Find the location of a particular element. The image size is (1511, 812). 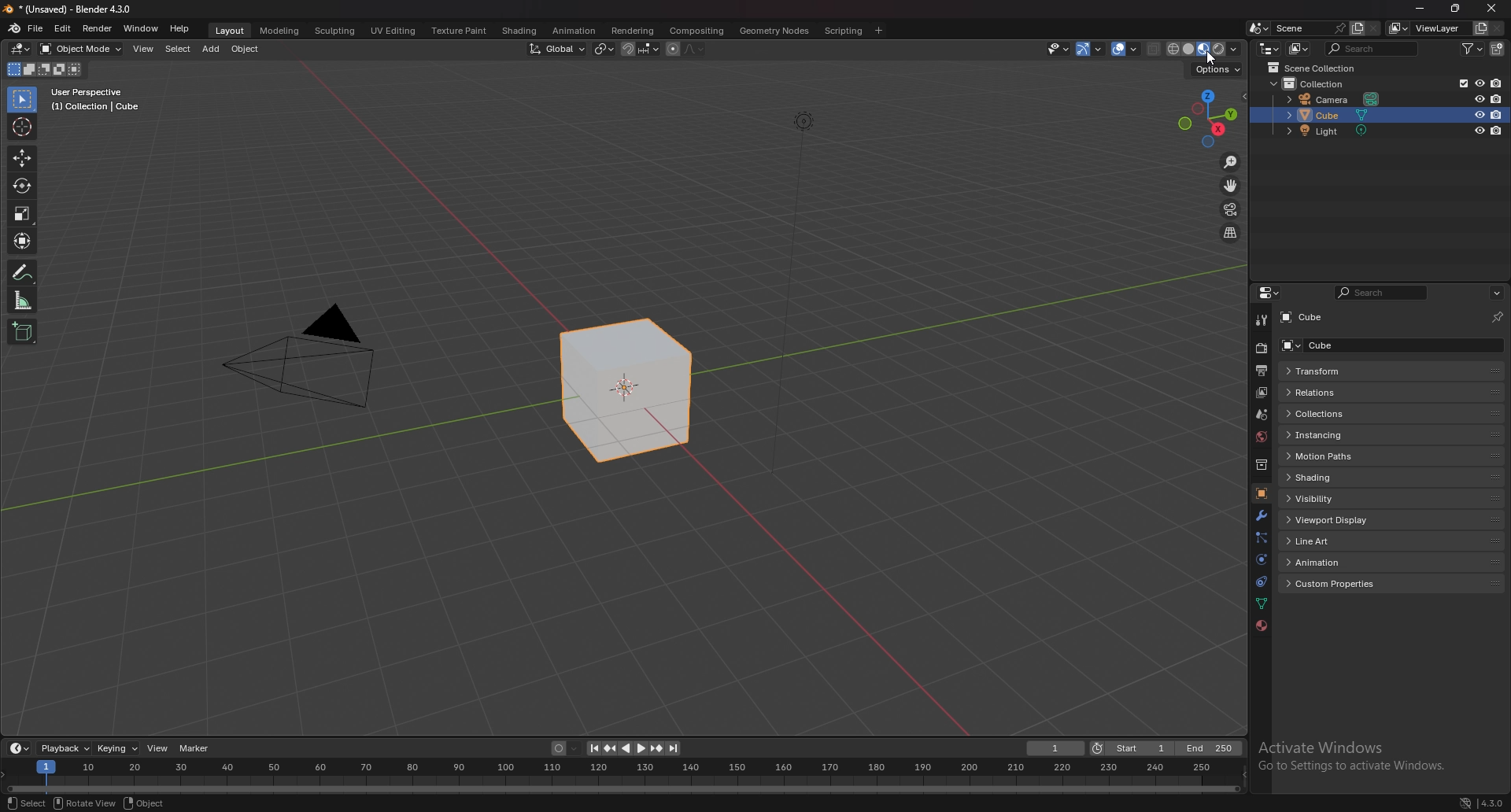

jump to next keyframe is located at coordinates (656, 748).